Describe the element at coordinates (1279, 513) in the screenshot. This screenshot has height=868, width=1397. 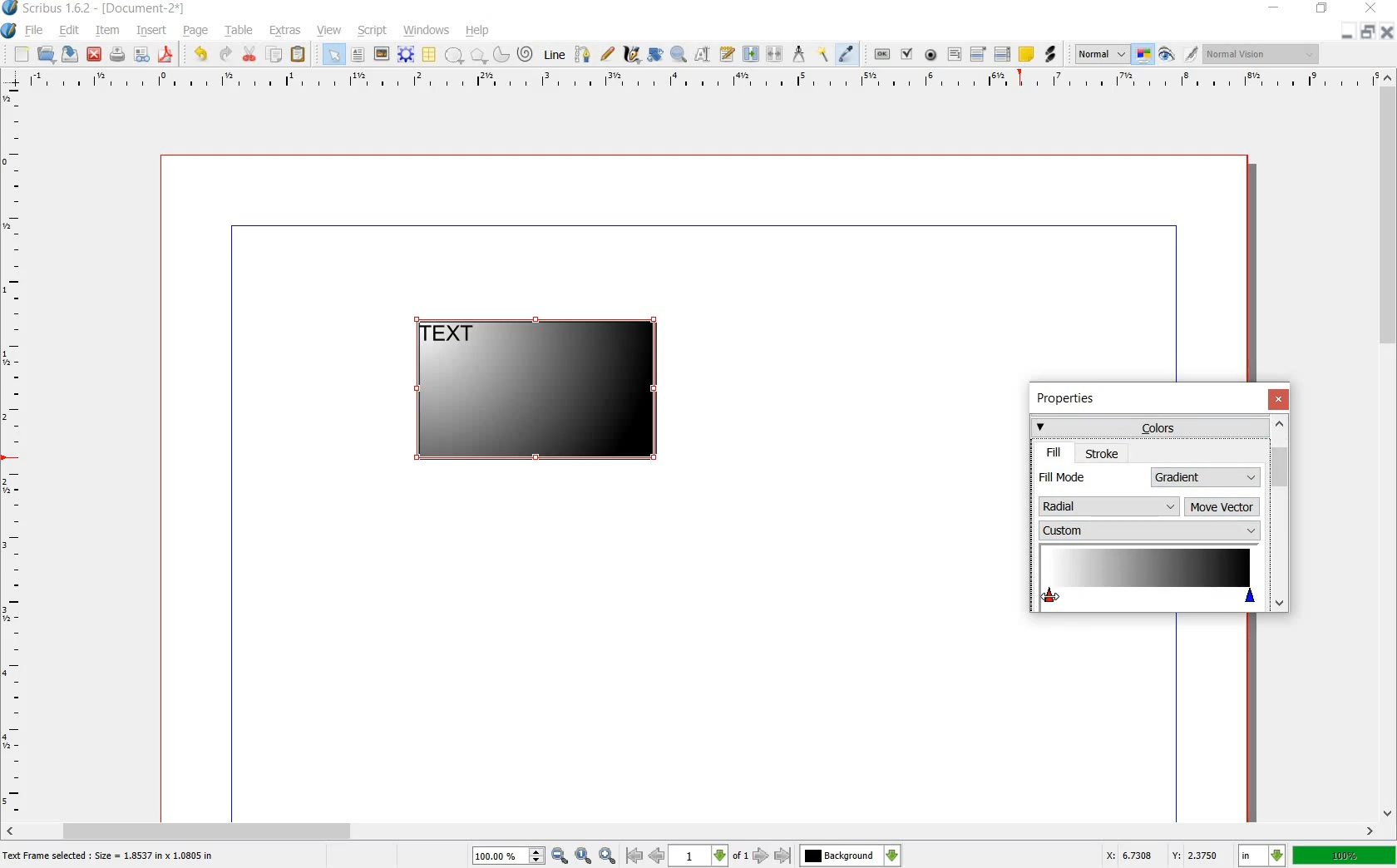
I see `scrollbar` at that location.